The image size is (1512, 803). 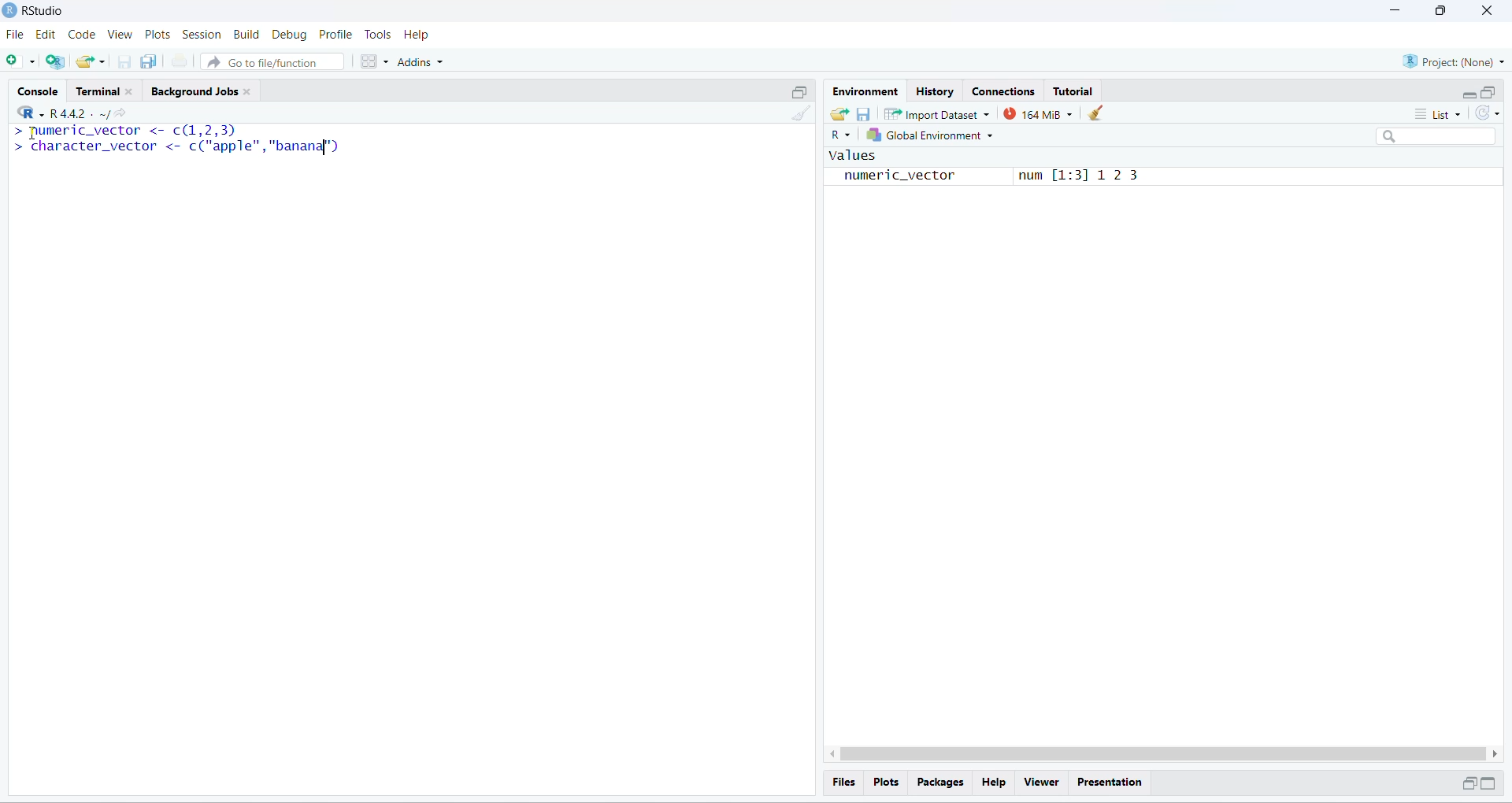 What do you see at coordinates (31, 133) in the screenshot?
I see `cursor` at bounding box center [31, 133].